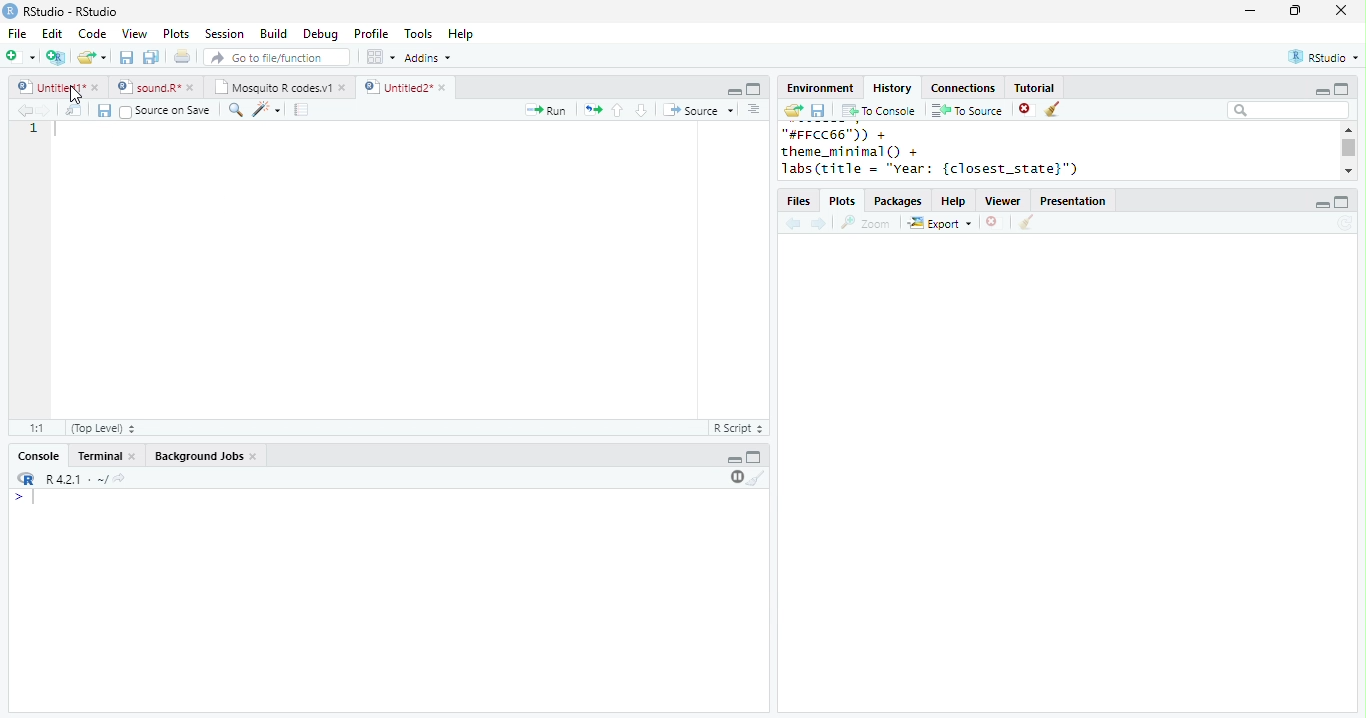  I want to click on print, so click(183, 56).